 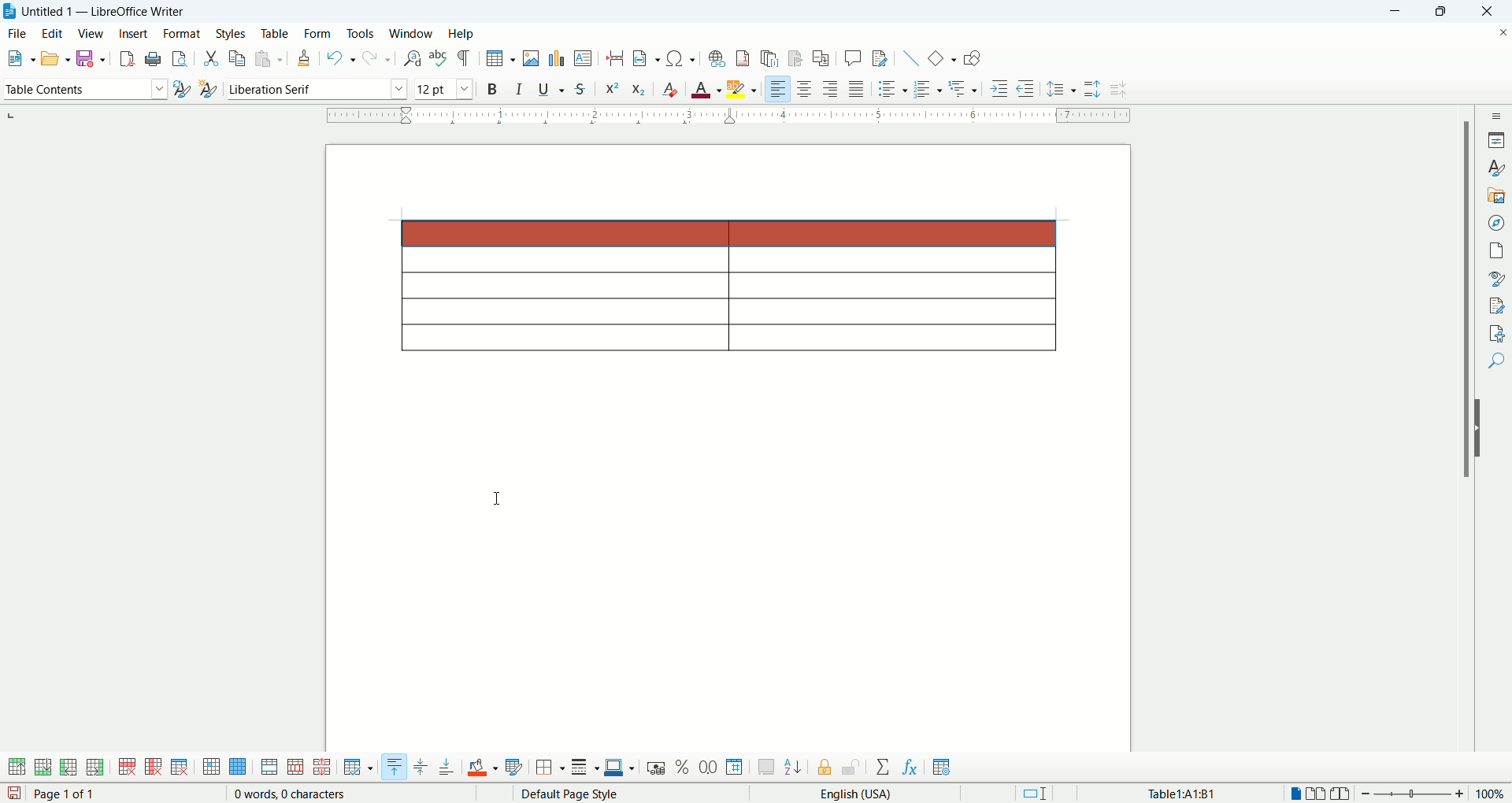 What do you see at coordinates (304, 57) in the screenshot?
I see `clone formatting` at bounding box center [304, 57].